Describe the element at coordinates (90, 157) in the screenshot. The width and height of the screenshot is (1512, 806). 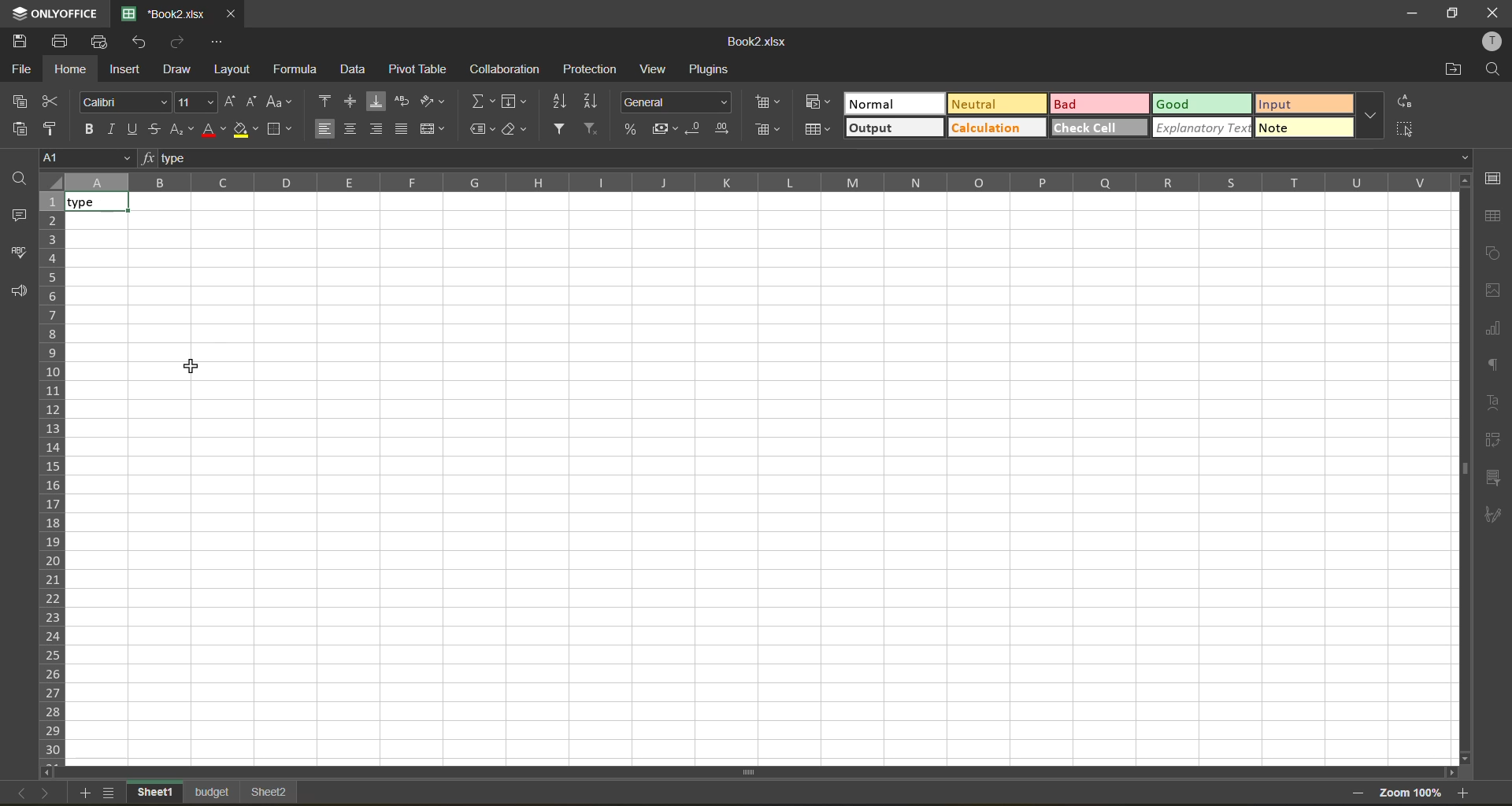
I see `cell address` at that location.